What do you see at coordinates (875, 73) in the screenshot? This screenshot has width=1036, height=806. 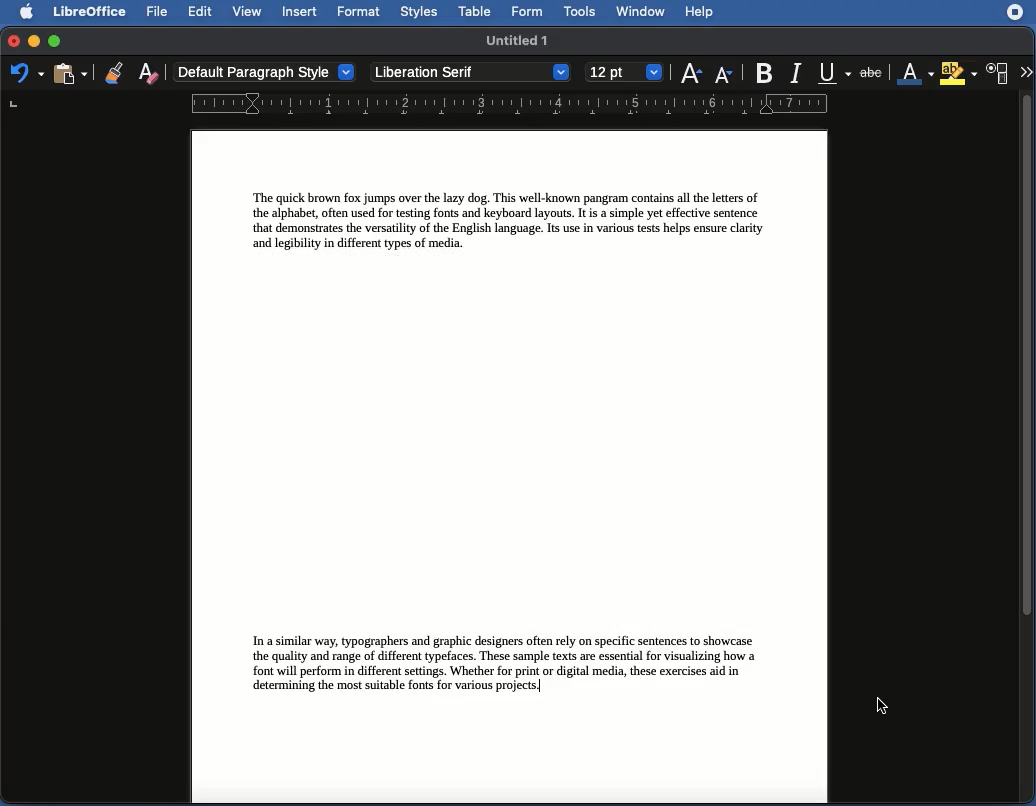 I see `Strikethrough` at bounding box center [875, 73].